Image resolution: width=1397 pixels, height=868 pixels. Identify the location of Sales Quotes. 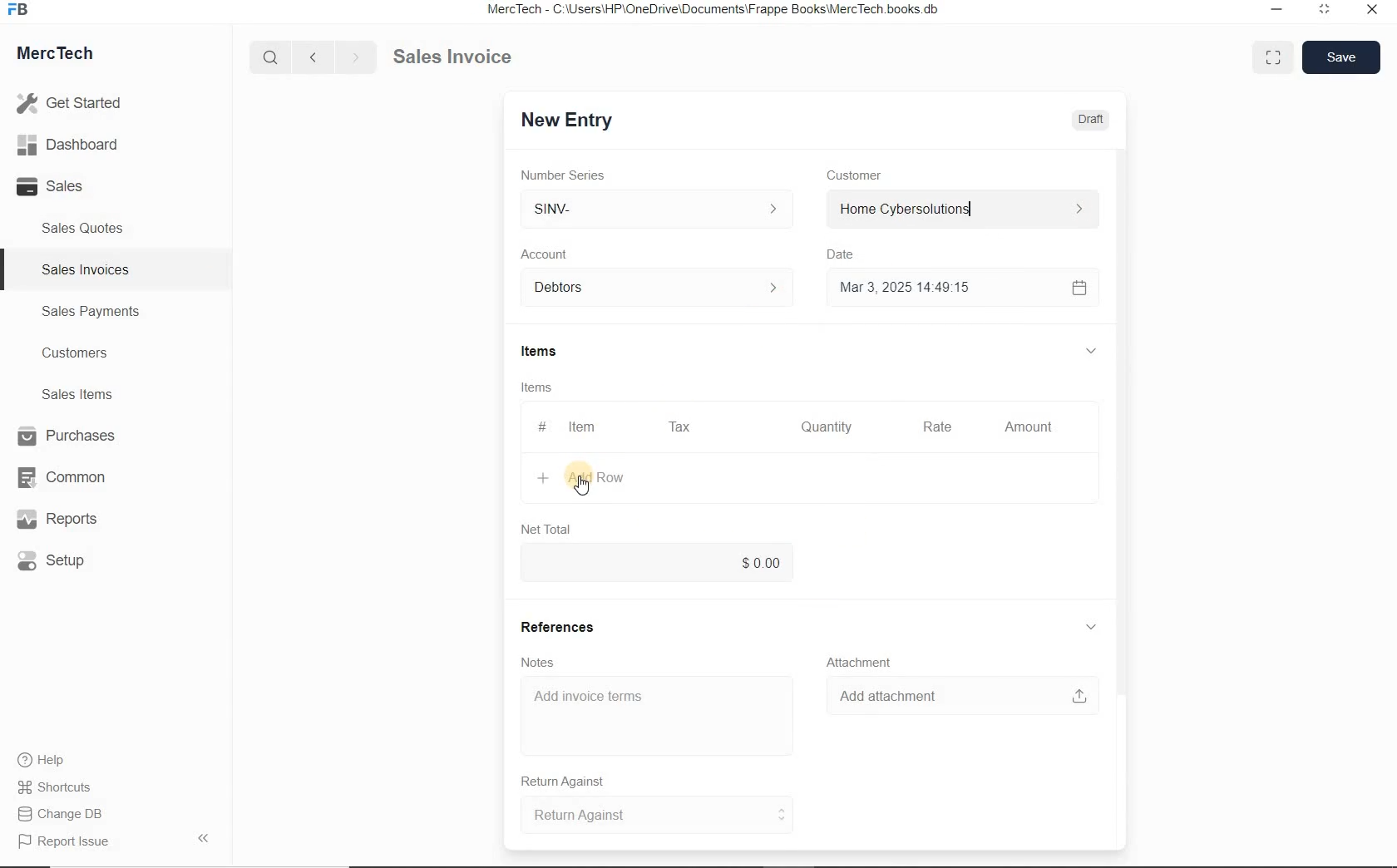
(86, 228).